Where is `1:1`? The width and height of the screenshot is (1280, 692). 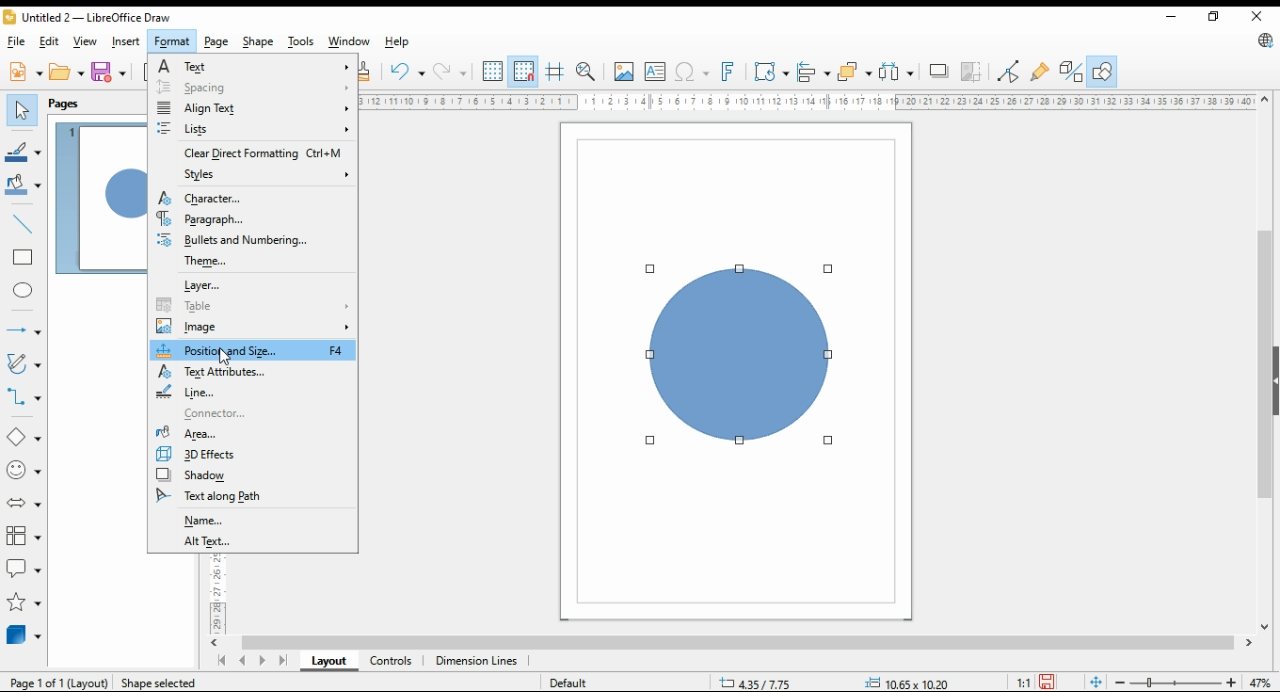
1:1 is located at coordinates (1023, 681).